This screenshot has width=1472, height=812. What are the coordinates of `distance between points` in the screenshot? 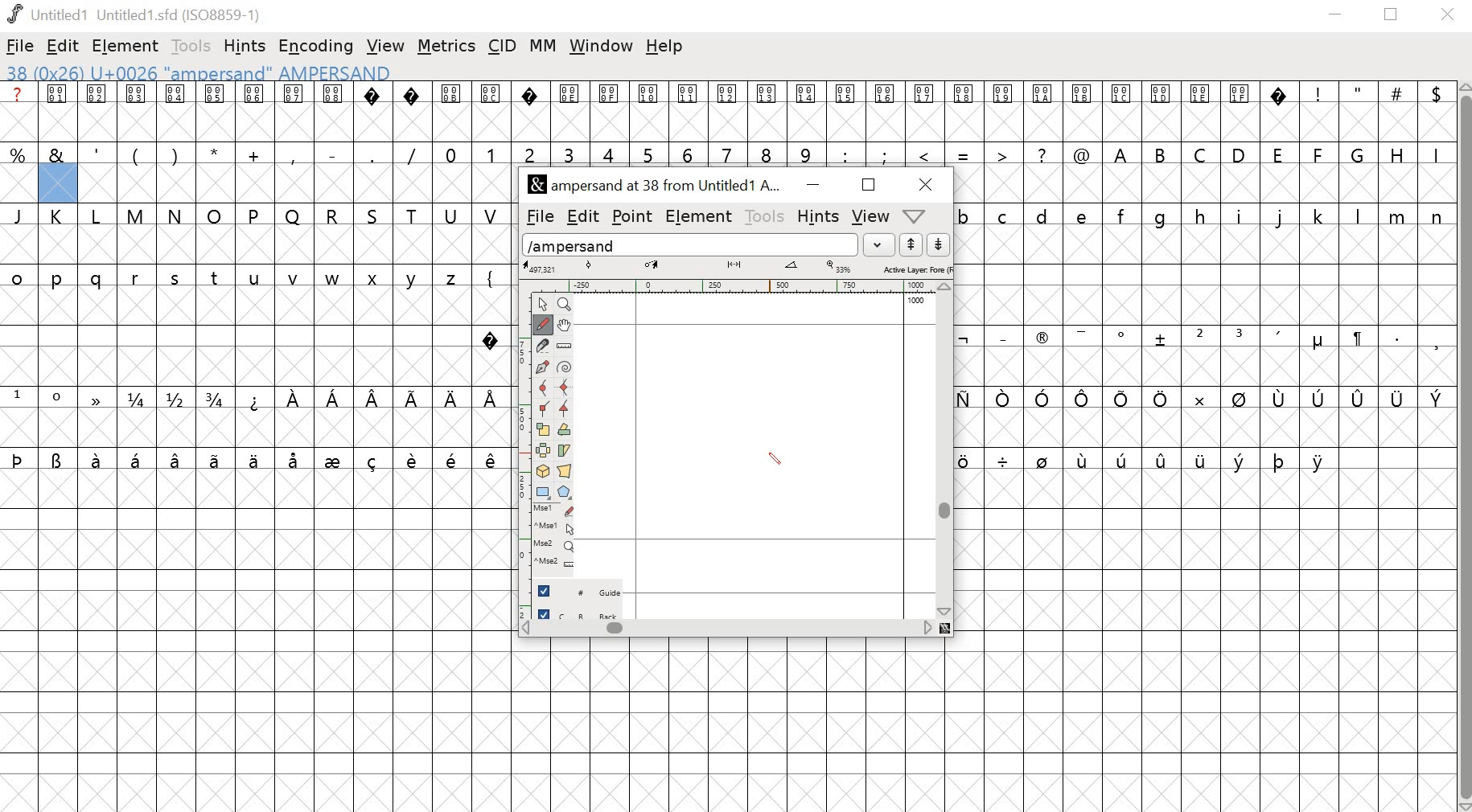 It's located at (735, 266).